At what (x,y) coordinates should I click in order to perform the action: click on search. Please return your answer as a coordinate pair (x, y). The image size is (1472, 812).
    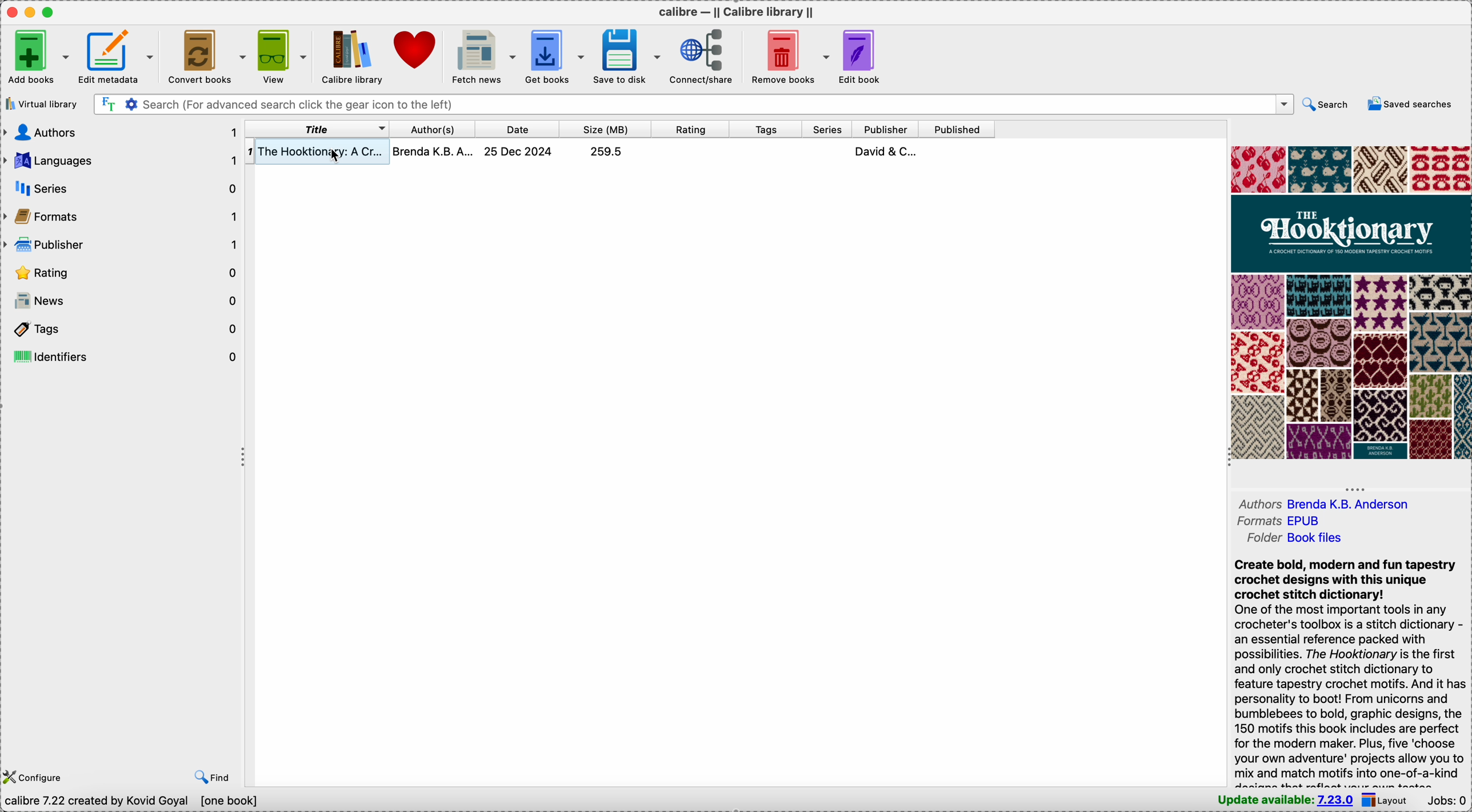
    Looking at the image, I should click on (1327, 103).